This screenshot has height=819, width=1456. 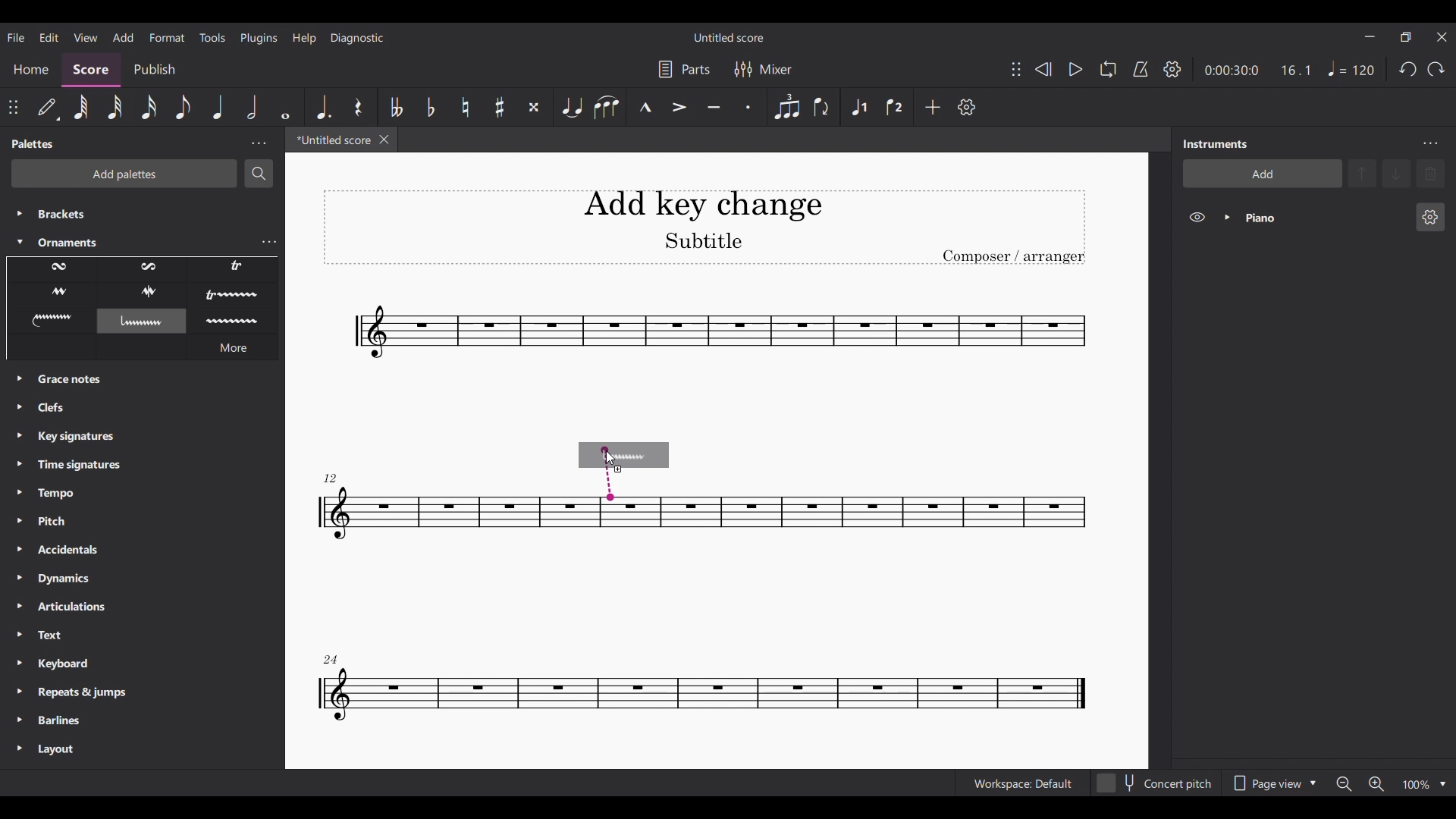 I want to click on Show interface in a smaller tab, so click(x=1406, y=36).